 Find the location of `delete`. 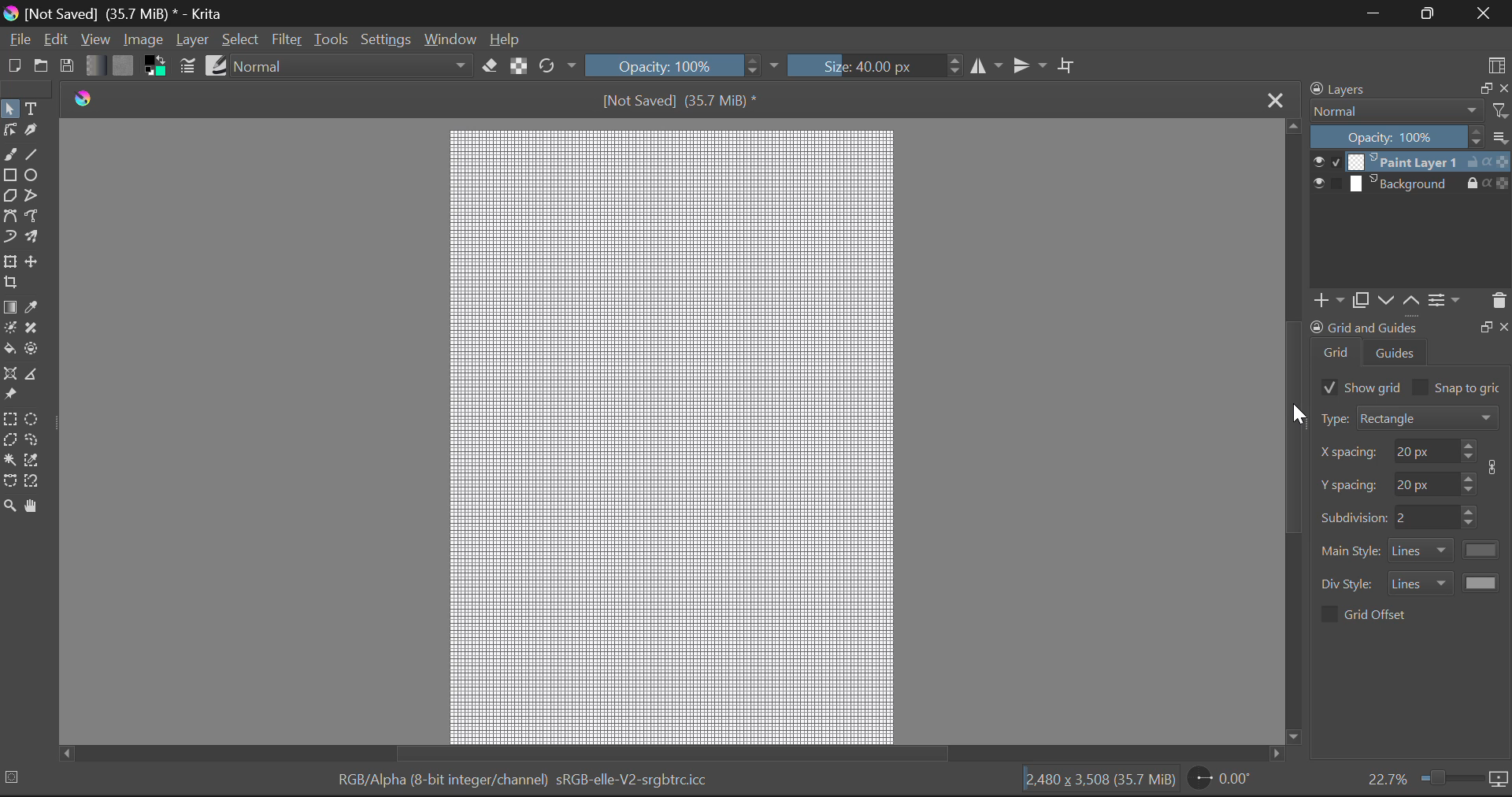

delete is located at coordinates (1498, 301).